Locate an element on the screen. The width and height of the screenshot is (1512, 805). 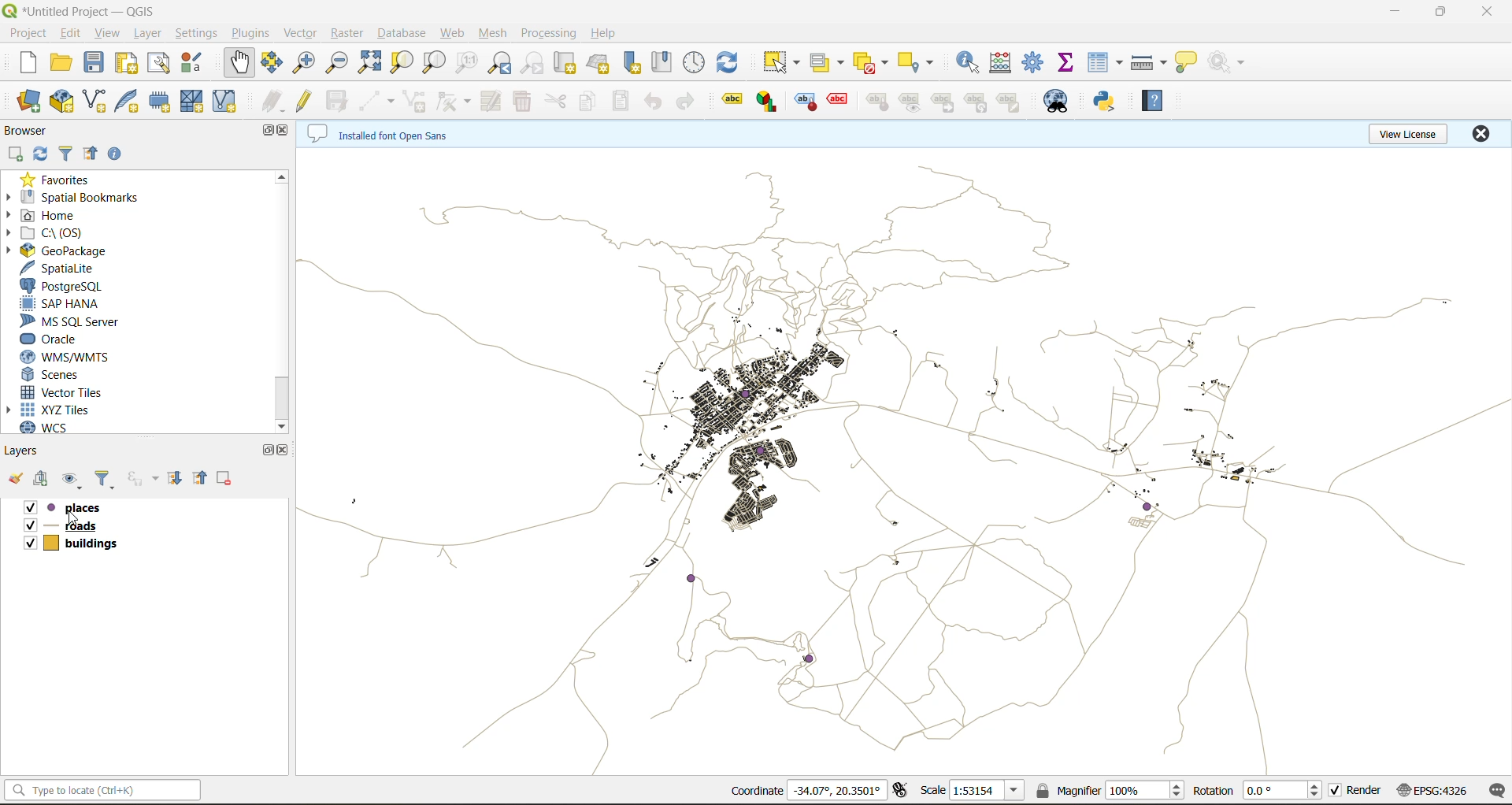
roads is located at coordinates (99, 525).